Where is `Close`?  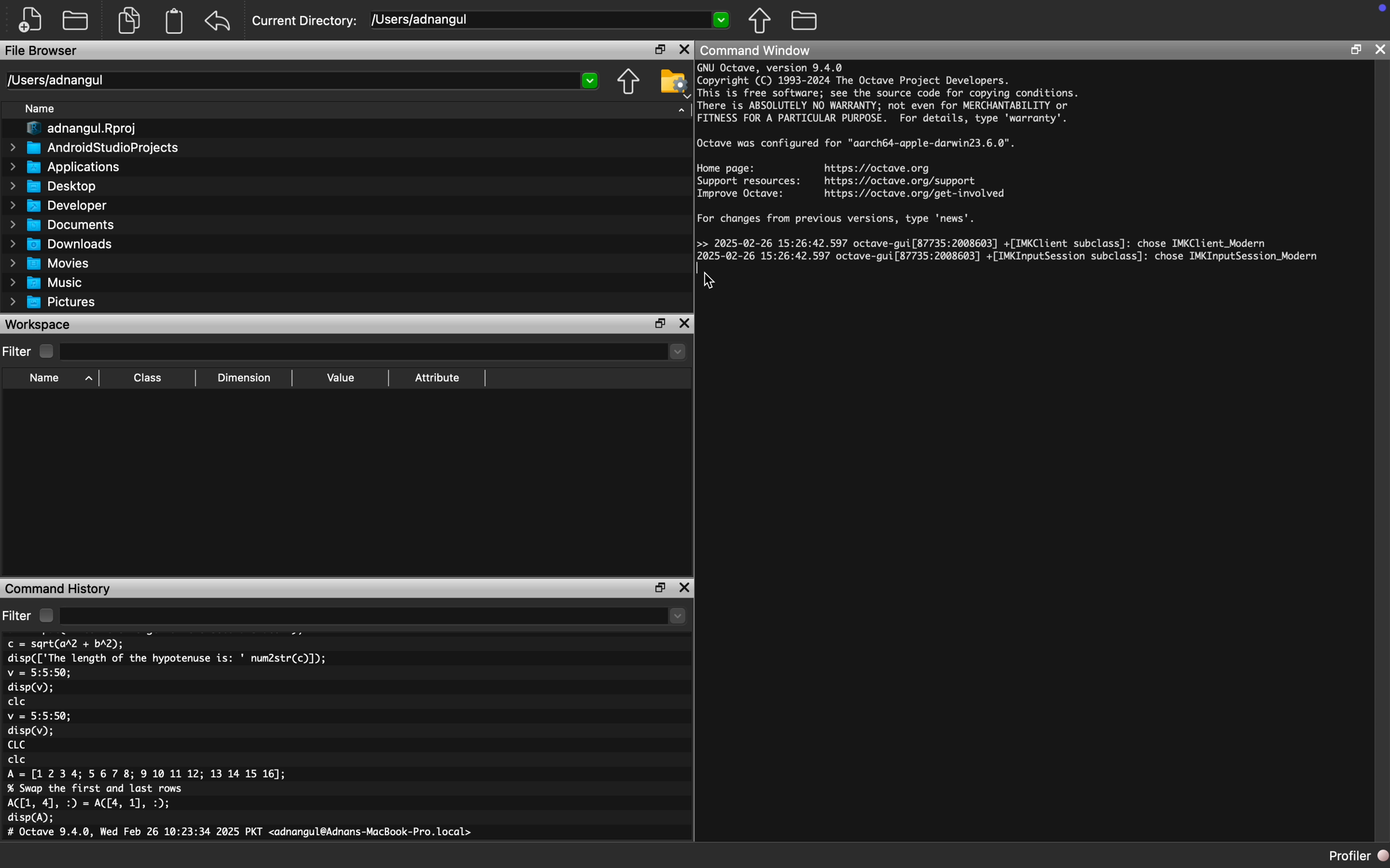 Close is located at coordinates (685, 588).